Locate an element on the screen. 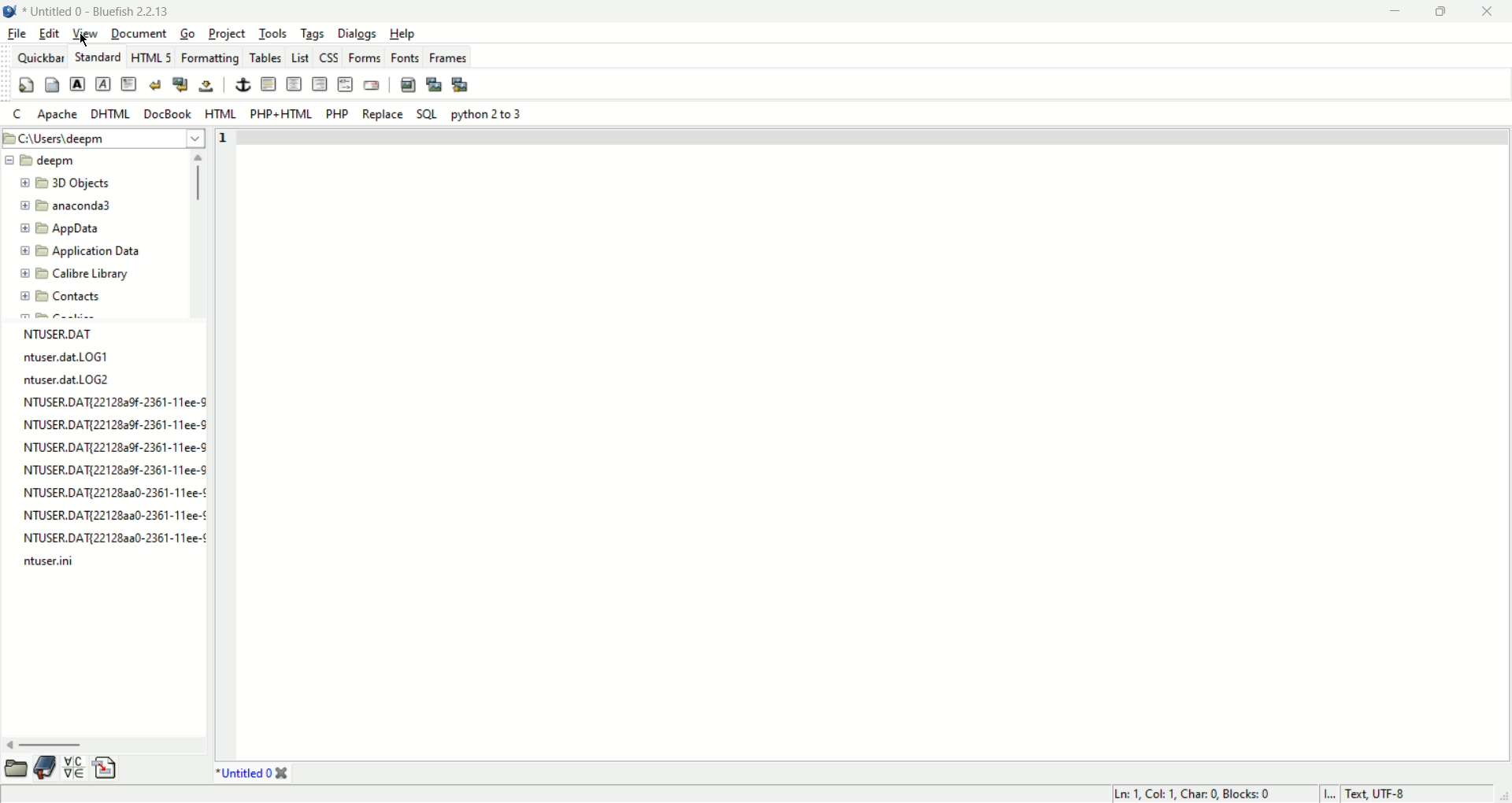 This screenshot has width=1512, height=803. NTUSER.DAT{22128a9f-2361-11ee-9 is located at coordinates (115, 425).